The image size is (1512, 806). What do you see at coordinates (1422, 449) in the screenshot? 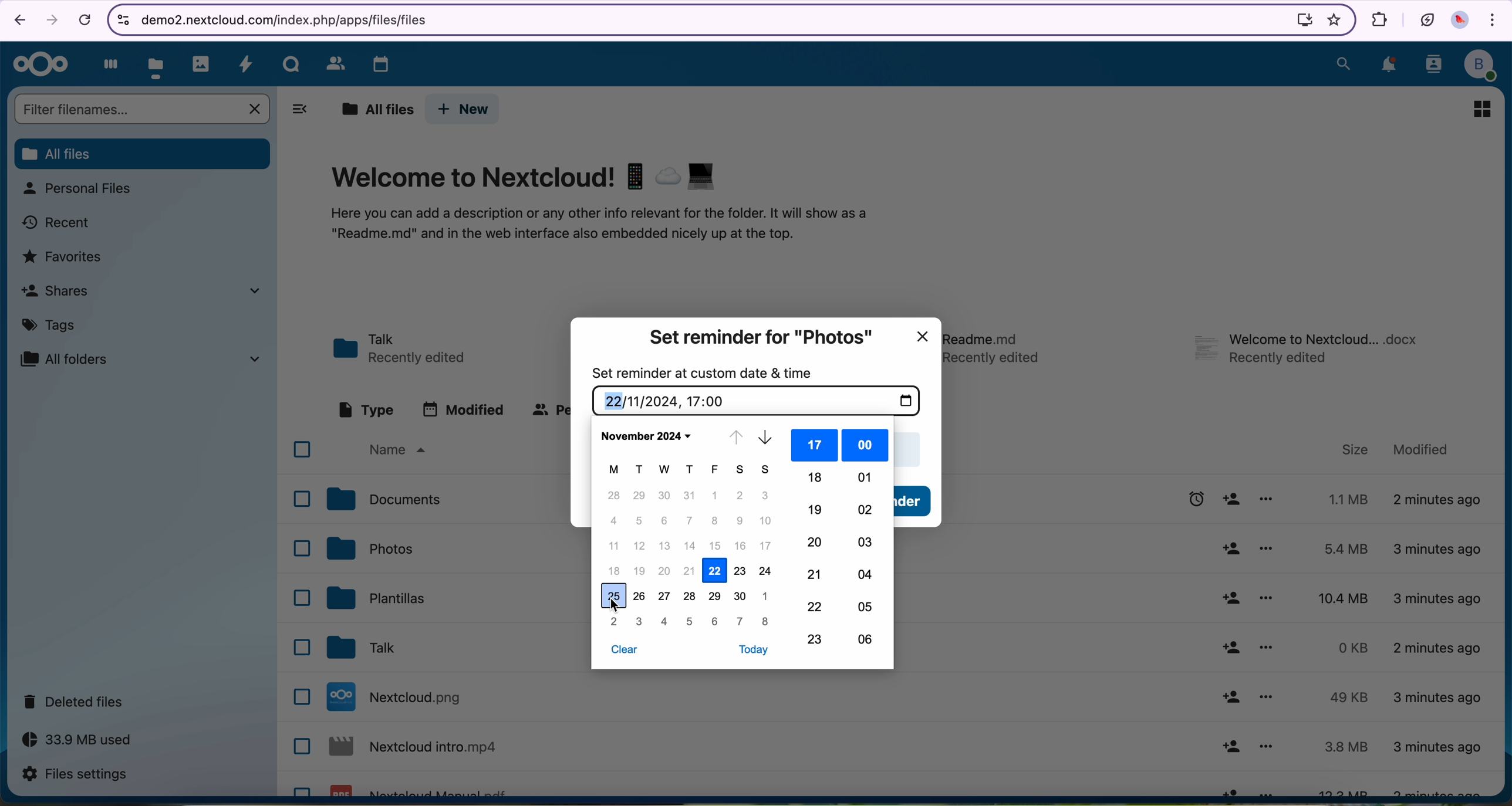
I see `modified` at bounding box center [1422, 449].